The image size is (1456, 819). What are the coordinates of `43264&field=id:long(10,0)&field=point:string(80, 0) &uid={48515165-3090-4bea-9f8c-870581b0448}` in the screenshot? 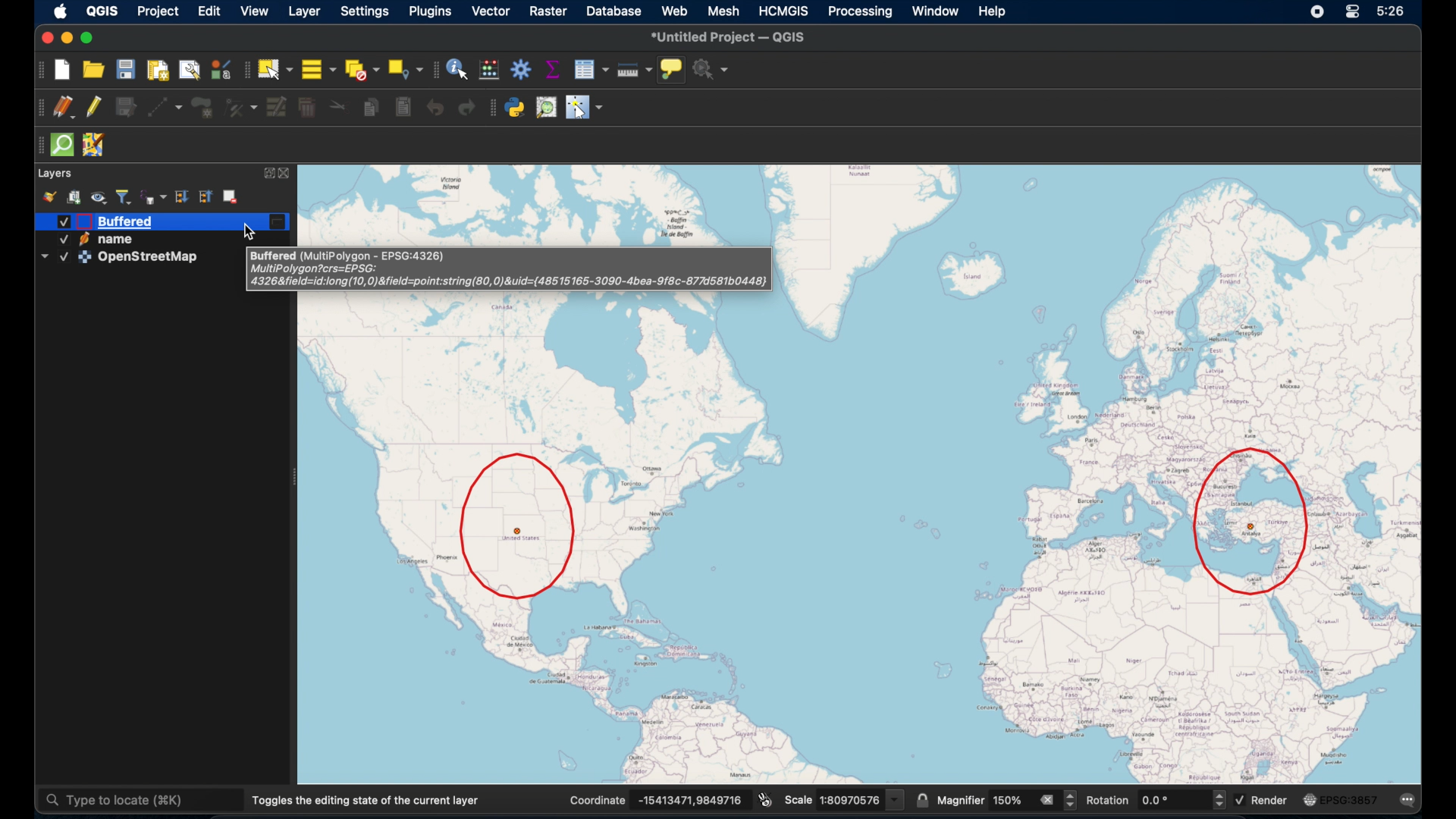 It's located at (511, 282).